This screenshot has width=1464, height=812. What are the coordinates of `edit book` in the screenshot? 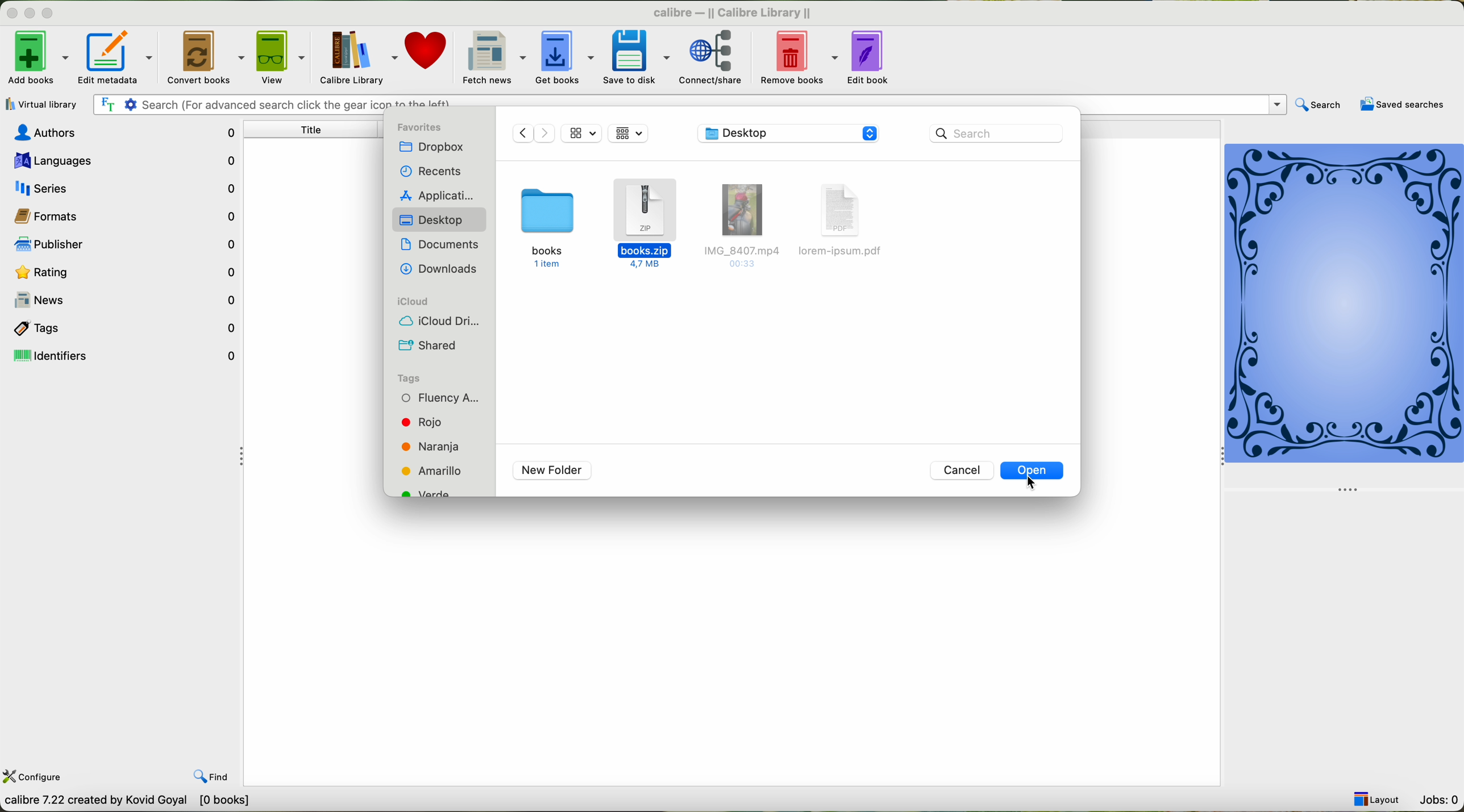 It's located at (872, 59).